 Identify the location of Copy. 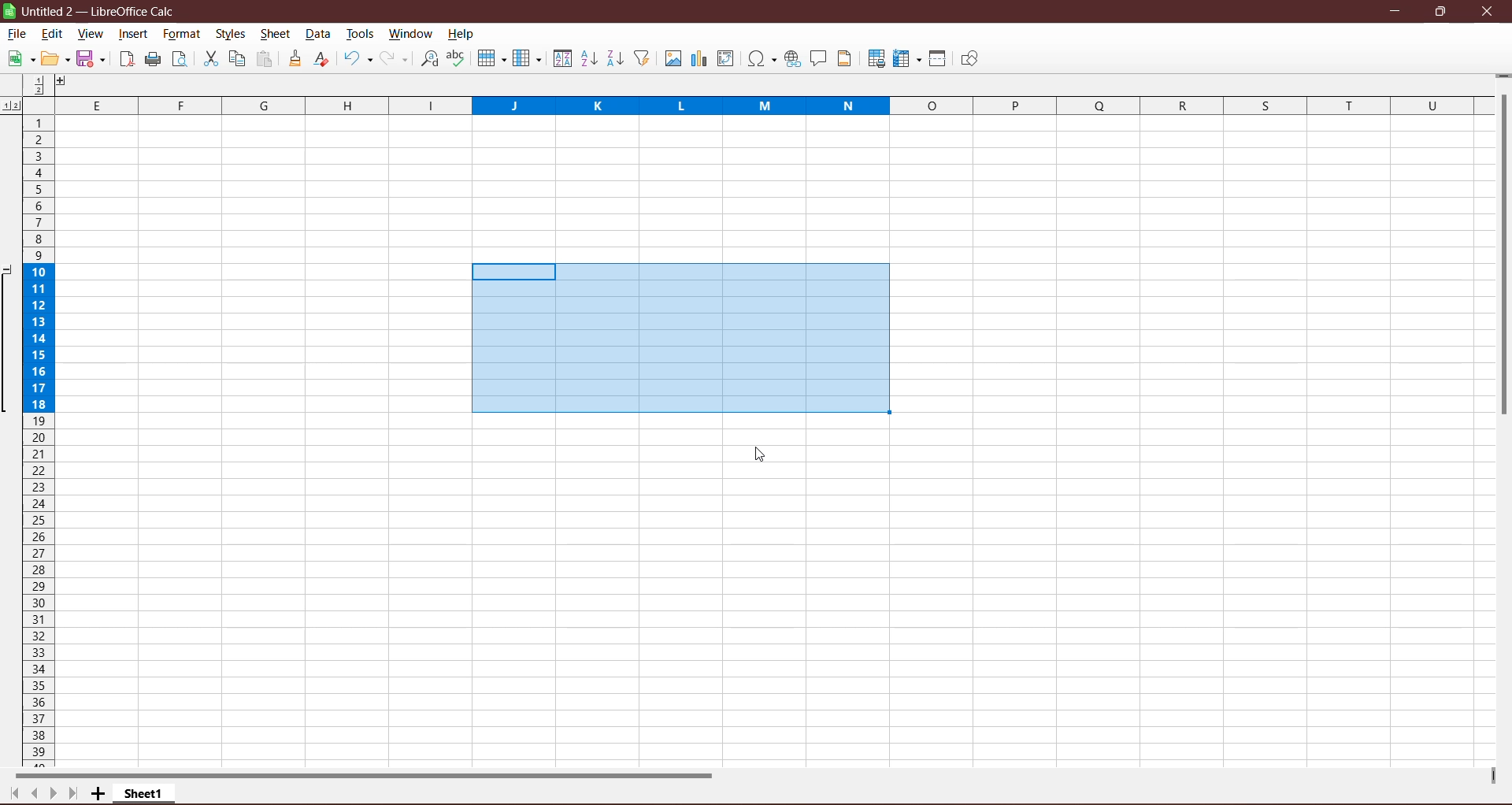
(237, 58).